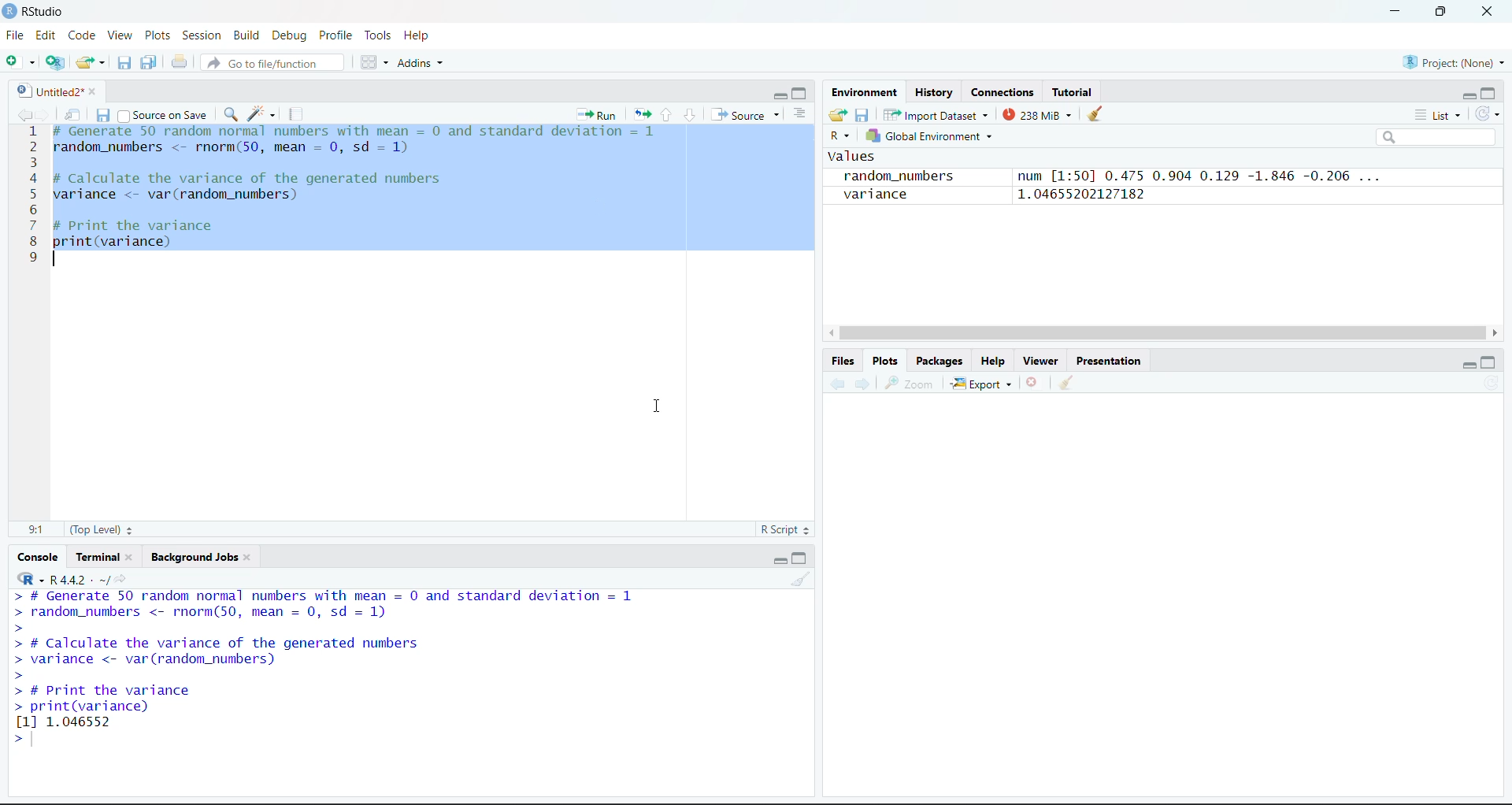 This screenshot has height=805, width=1512. Describe the element at coordinates (1043, 361) in the screenshot. I see `Viewer` at that location.